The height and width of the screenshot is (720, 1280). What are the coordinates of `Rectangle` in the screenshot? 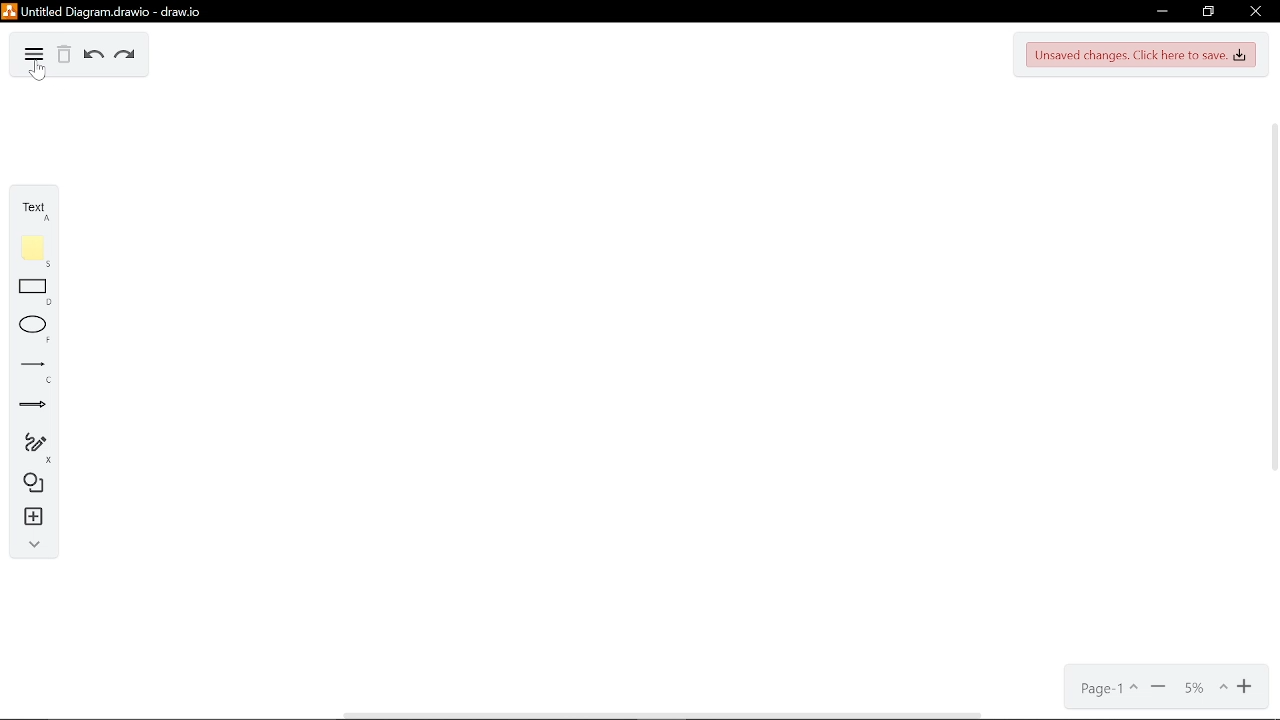 It's located at (28, 290).